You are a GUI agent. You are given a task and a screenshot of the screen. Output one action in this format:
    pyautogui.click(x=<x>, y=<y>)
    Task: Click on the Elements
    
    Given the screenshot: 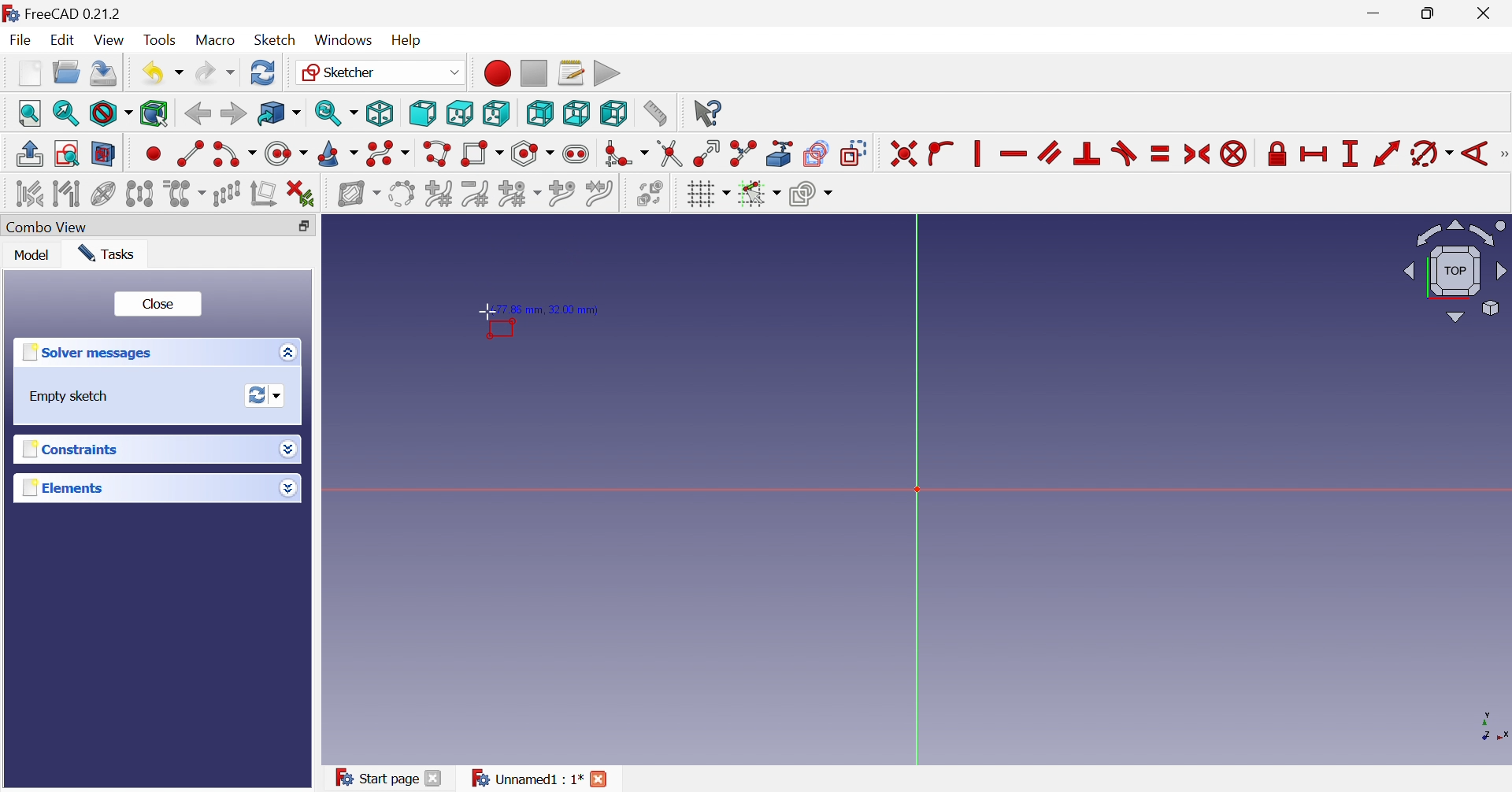 What is the action you would take?
    pyautogui.click(x=62, y=488)
    